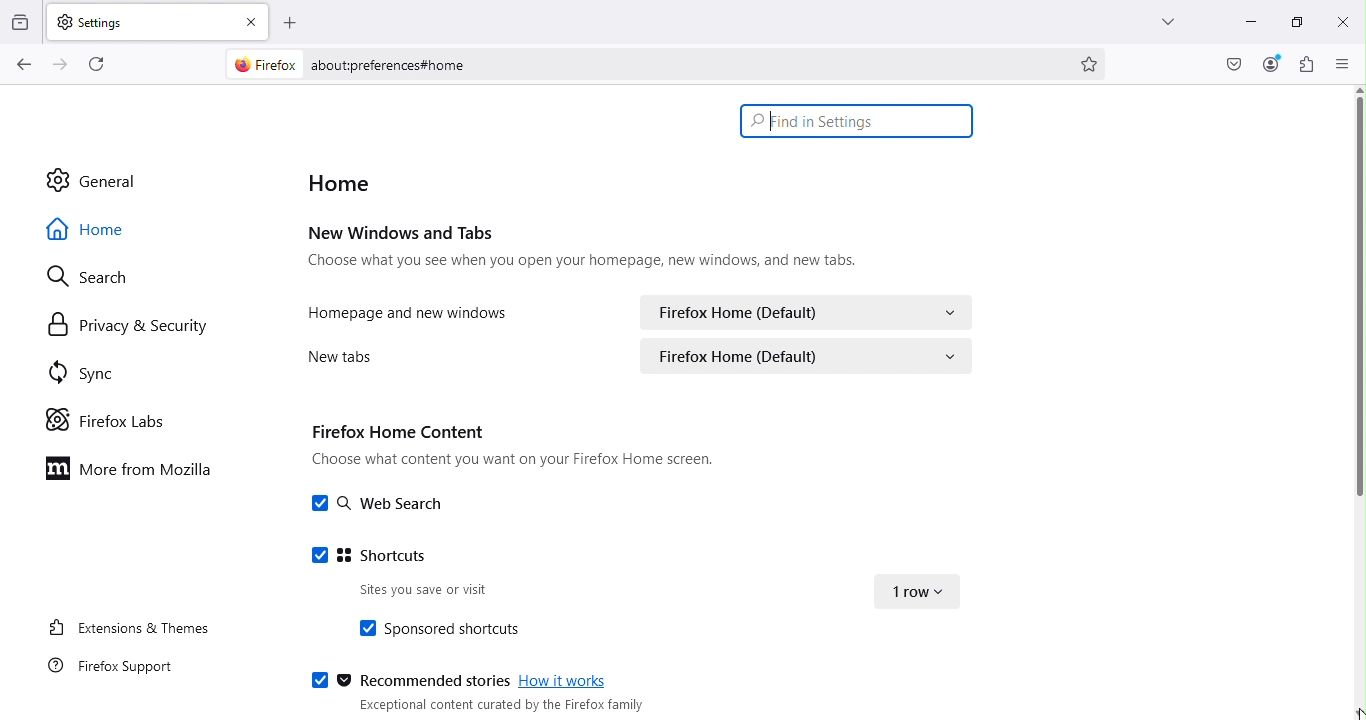  What do you see at coordinates (110, 419) in the screenshot?
I see `Firefox labs` at bounding box center [110, 419].